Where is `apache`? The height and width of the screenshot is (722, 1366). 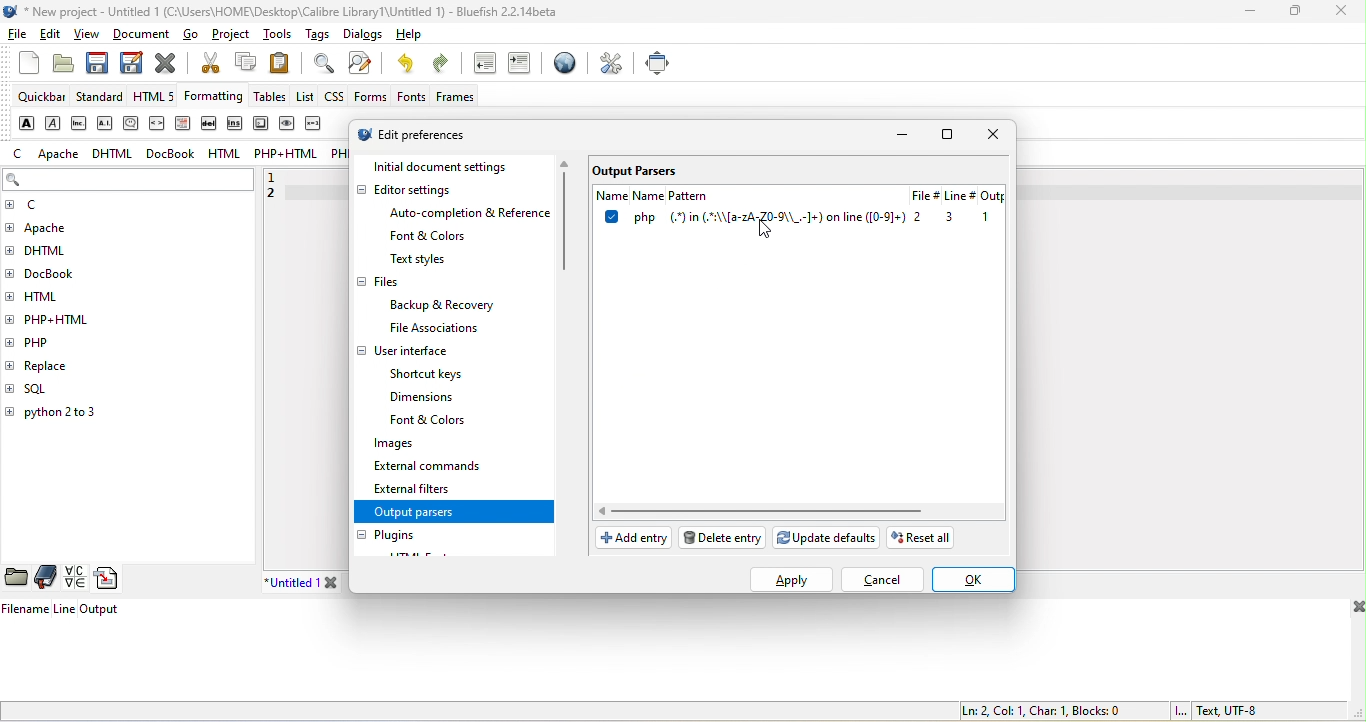
apache is located at coordinates (57, 151).